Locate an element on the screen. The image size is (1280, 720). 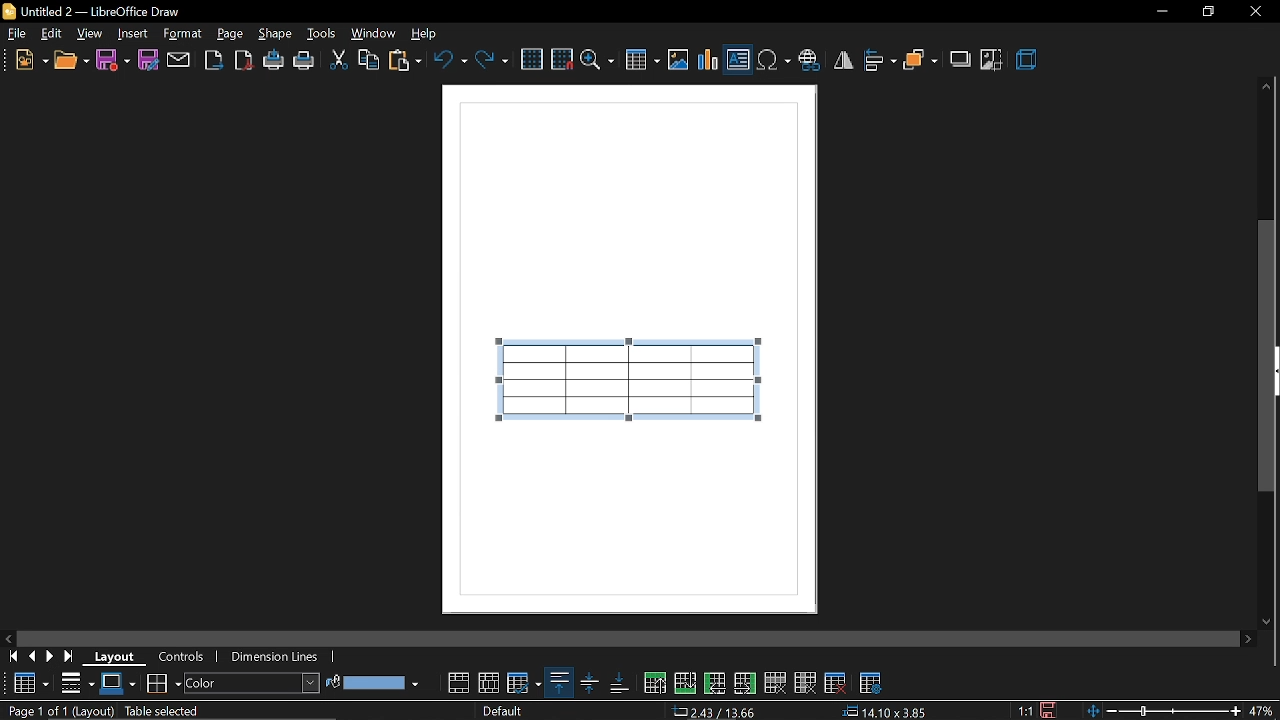
edit is located at coordinates (50, 32).